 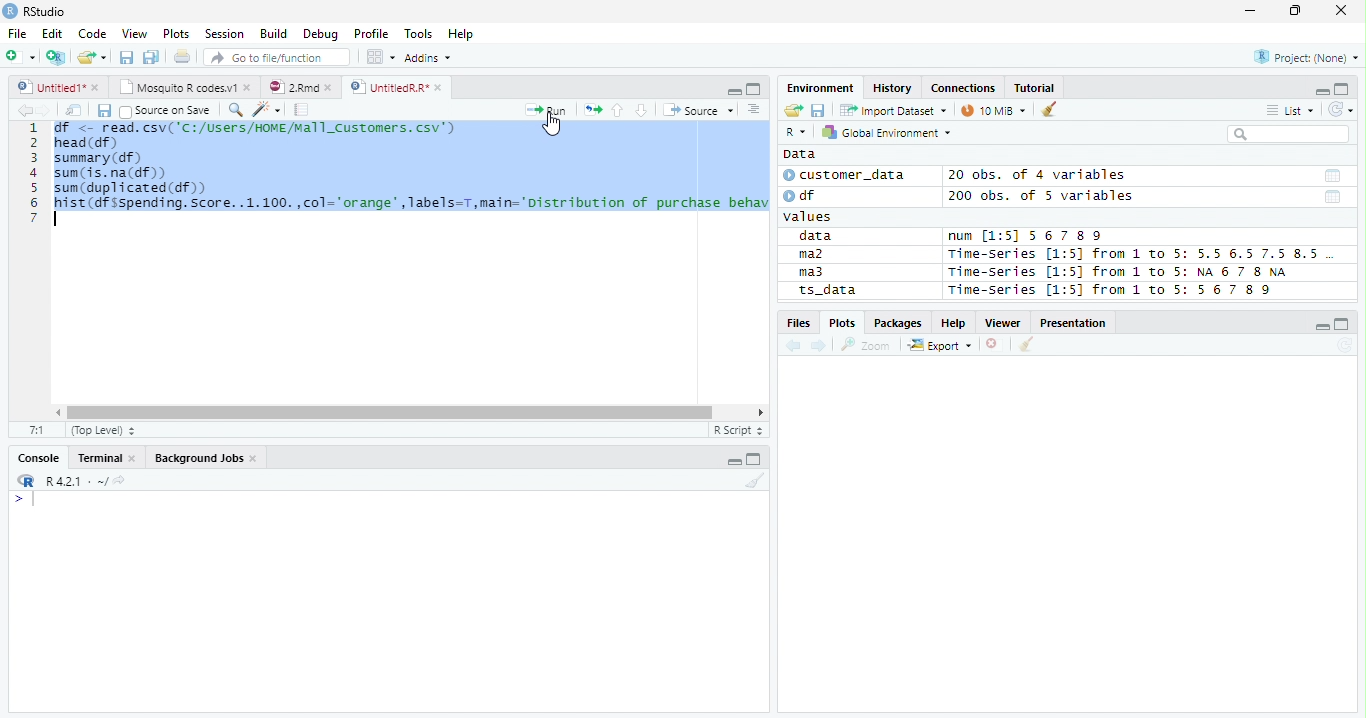 I want to click on Zoom, so click(x=866, y=345).